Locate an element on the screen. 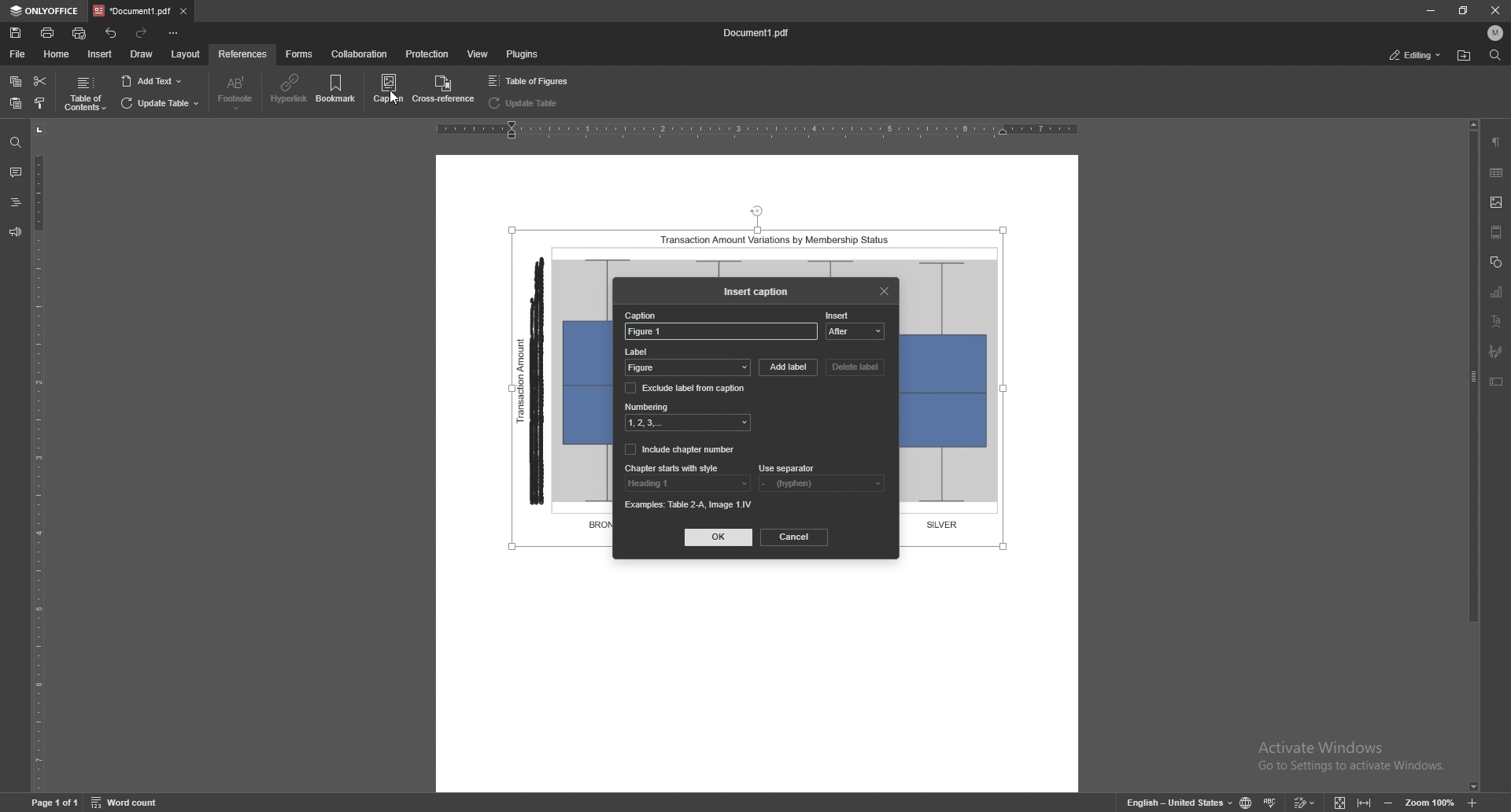 This screenshot has height=812, width=1511. home is located at coordinates (57, 54).